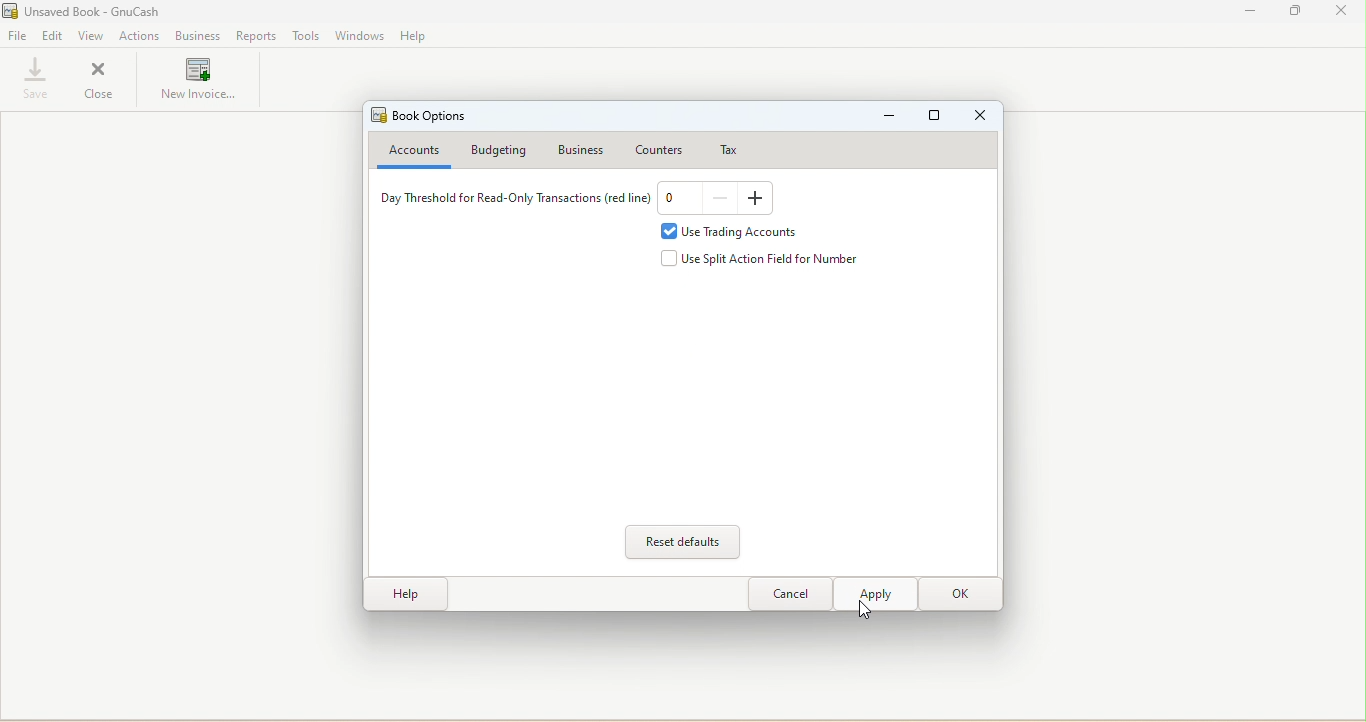 Image resolution: width=1366 pixels, height=722 pixels. What do you see at coordinates (361, 37) in the screenshot?
I see `Windows` at bounding box center [361, 37].